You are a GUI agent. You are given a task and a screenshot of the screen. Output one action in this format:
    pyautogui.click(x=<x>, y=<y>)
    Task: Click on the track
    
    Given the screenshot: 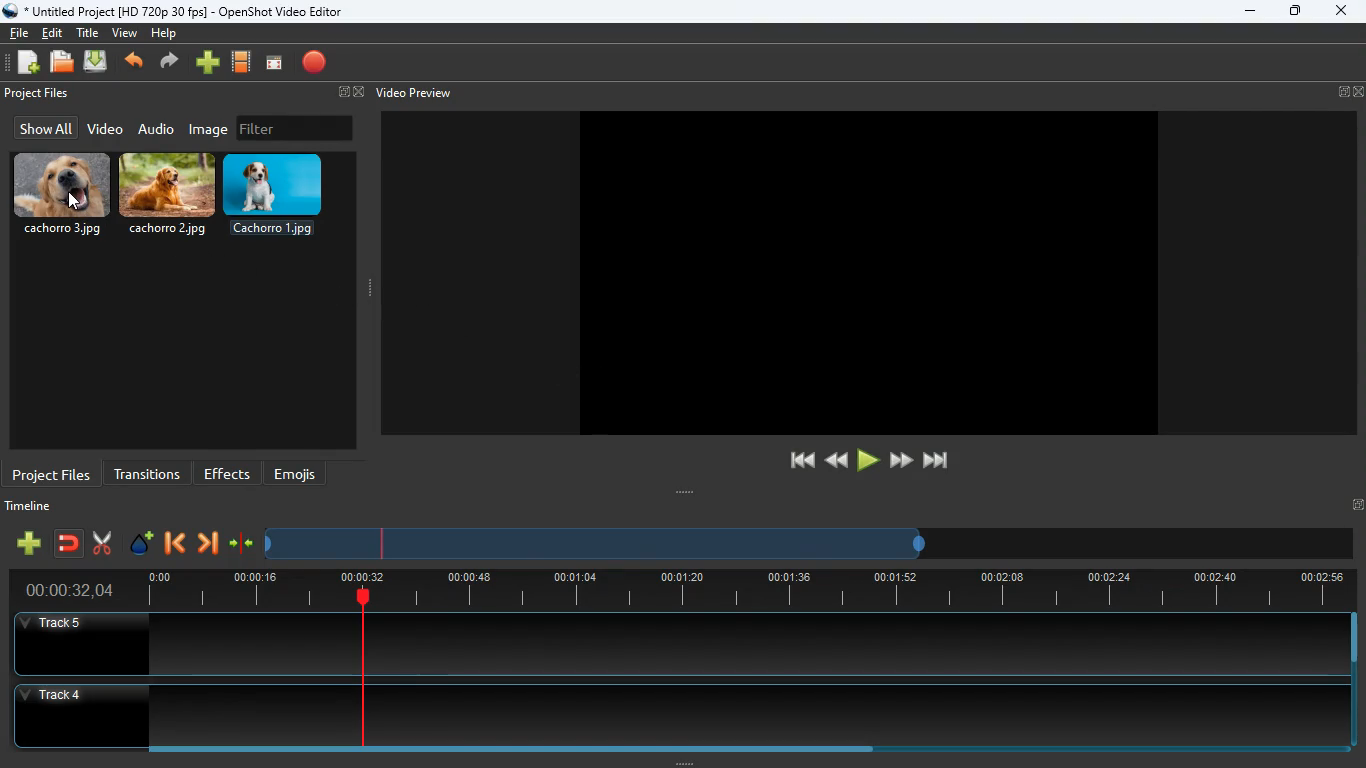 What is the action you would take?
    pyautogui.click(x=663, y=715)
    